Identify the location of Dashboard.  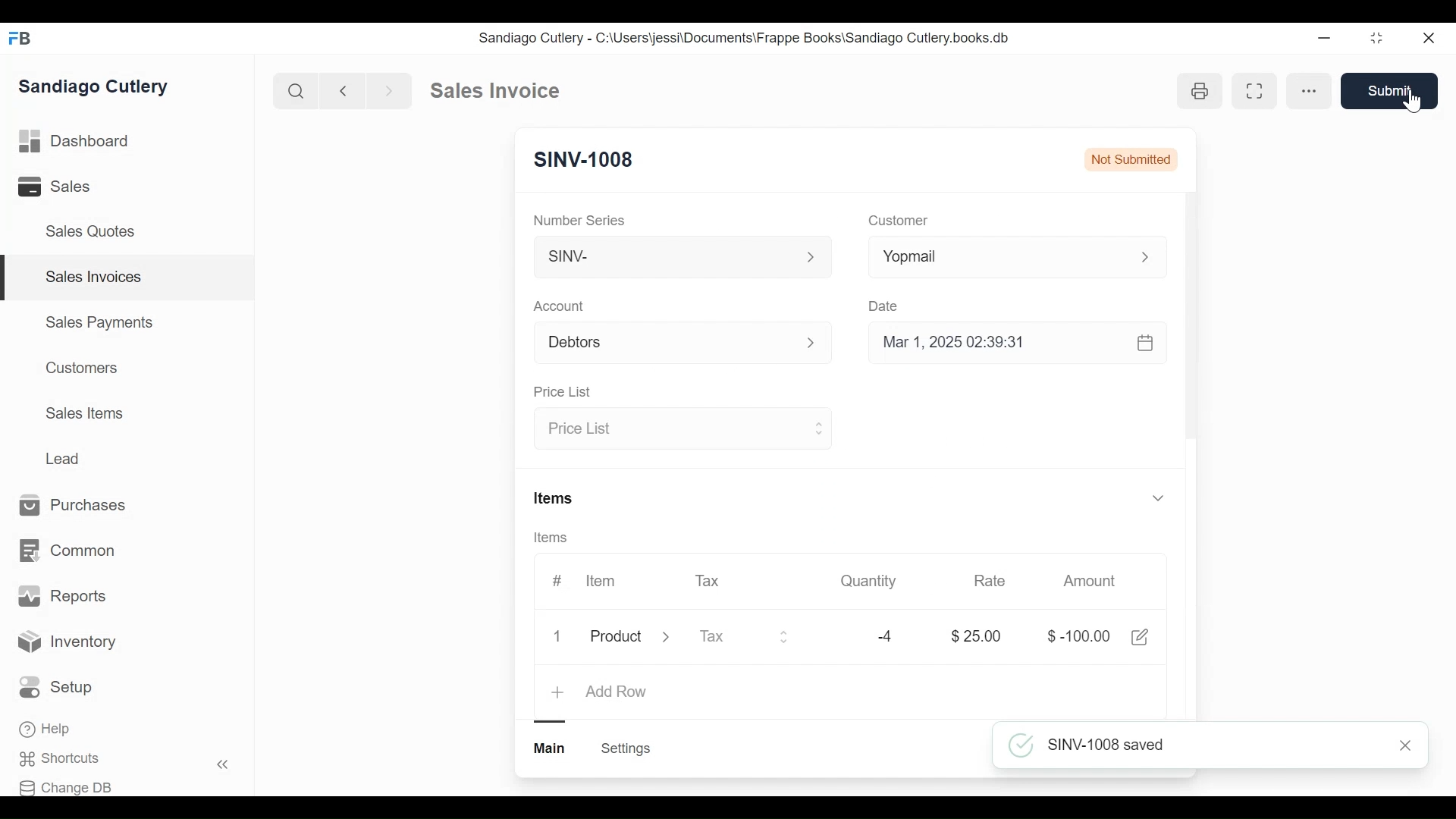
(74, 141).